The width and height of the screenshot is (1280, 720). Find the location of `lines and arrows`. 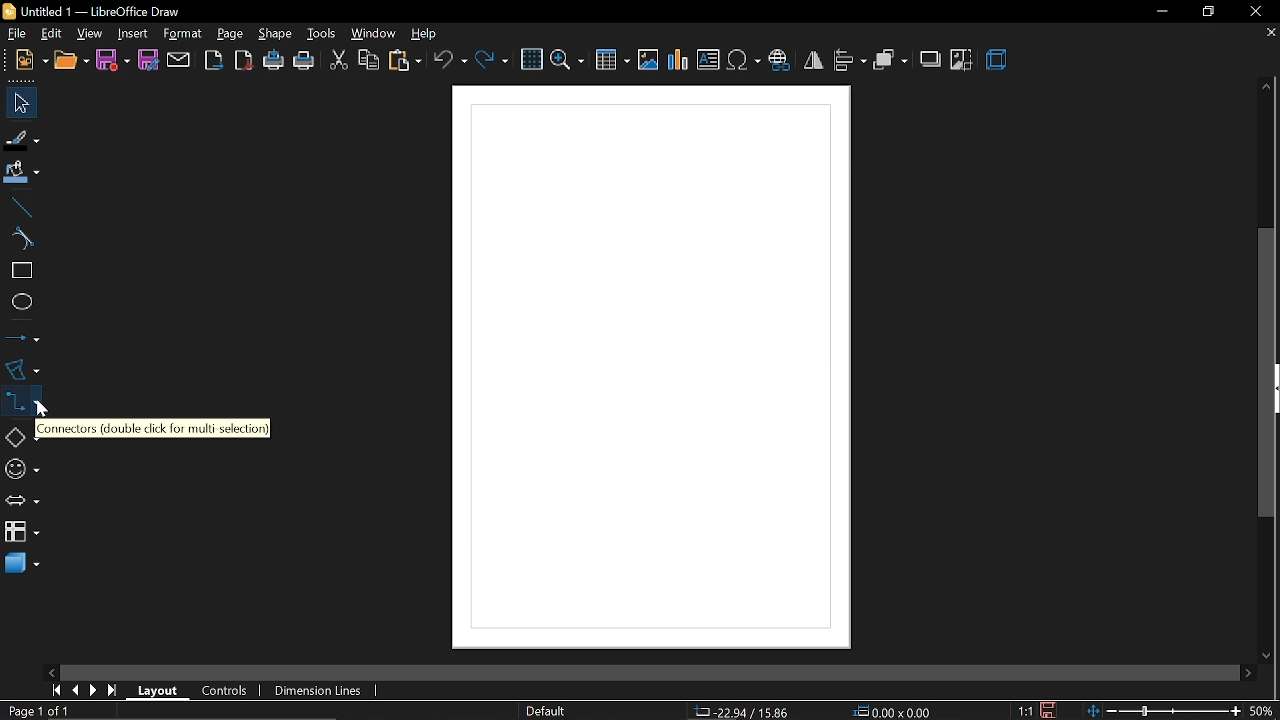

lines and arrows is located at coordinates (22, 337).